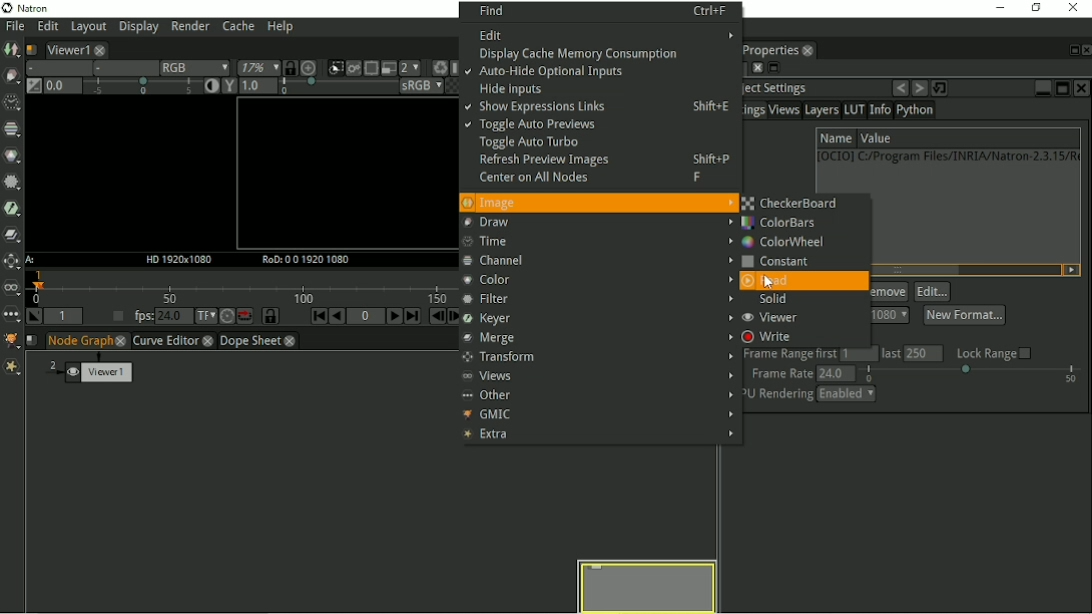  Describe the element at coordinates (334, 68) in the screenshot. I see `Clips the portion of the image` at that location.